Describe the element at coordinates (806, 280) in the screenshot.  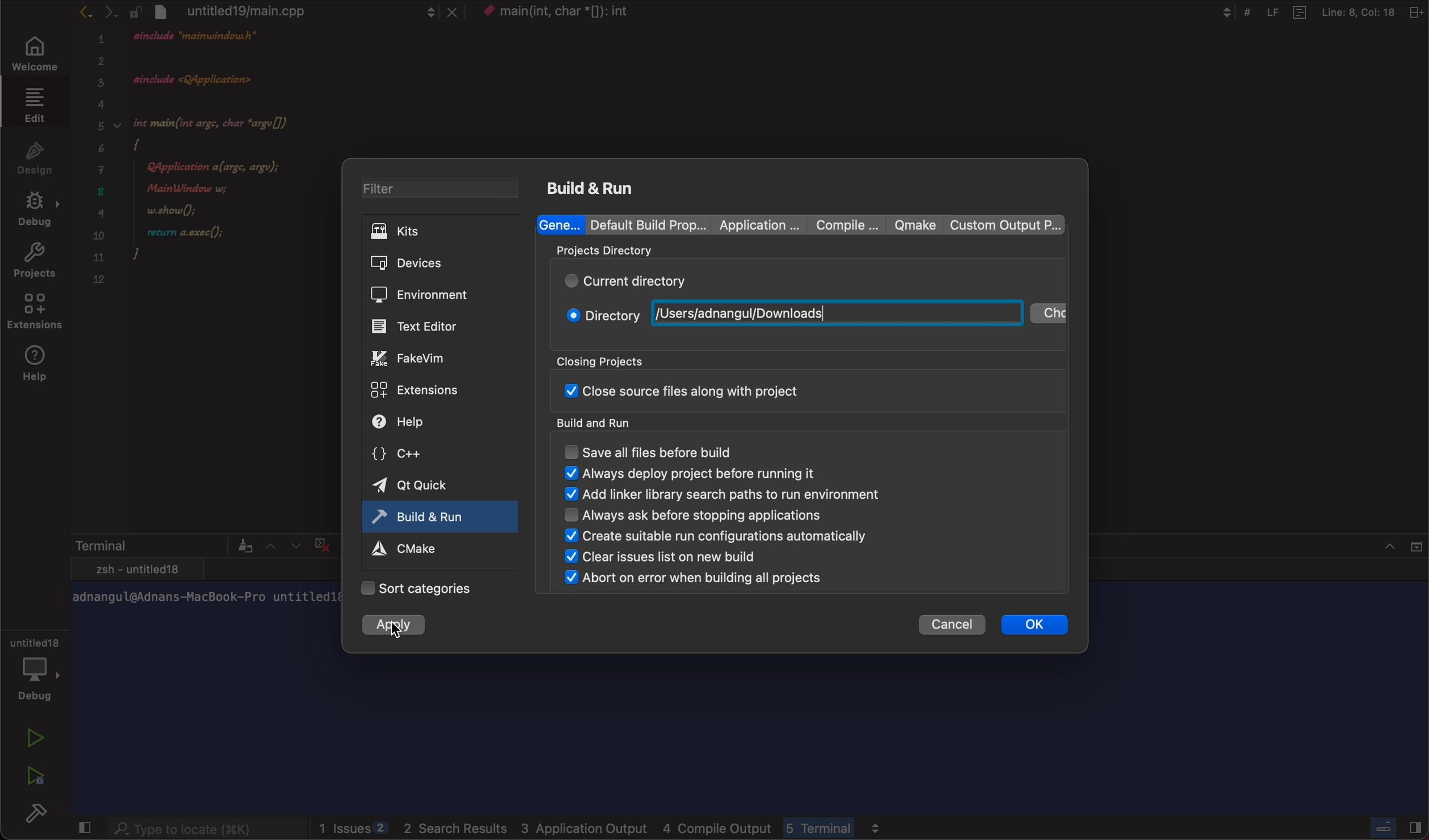
I see `current directory` at that location.